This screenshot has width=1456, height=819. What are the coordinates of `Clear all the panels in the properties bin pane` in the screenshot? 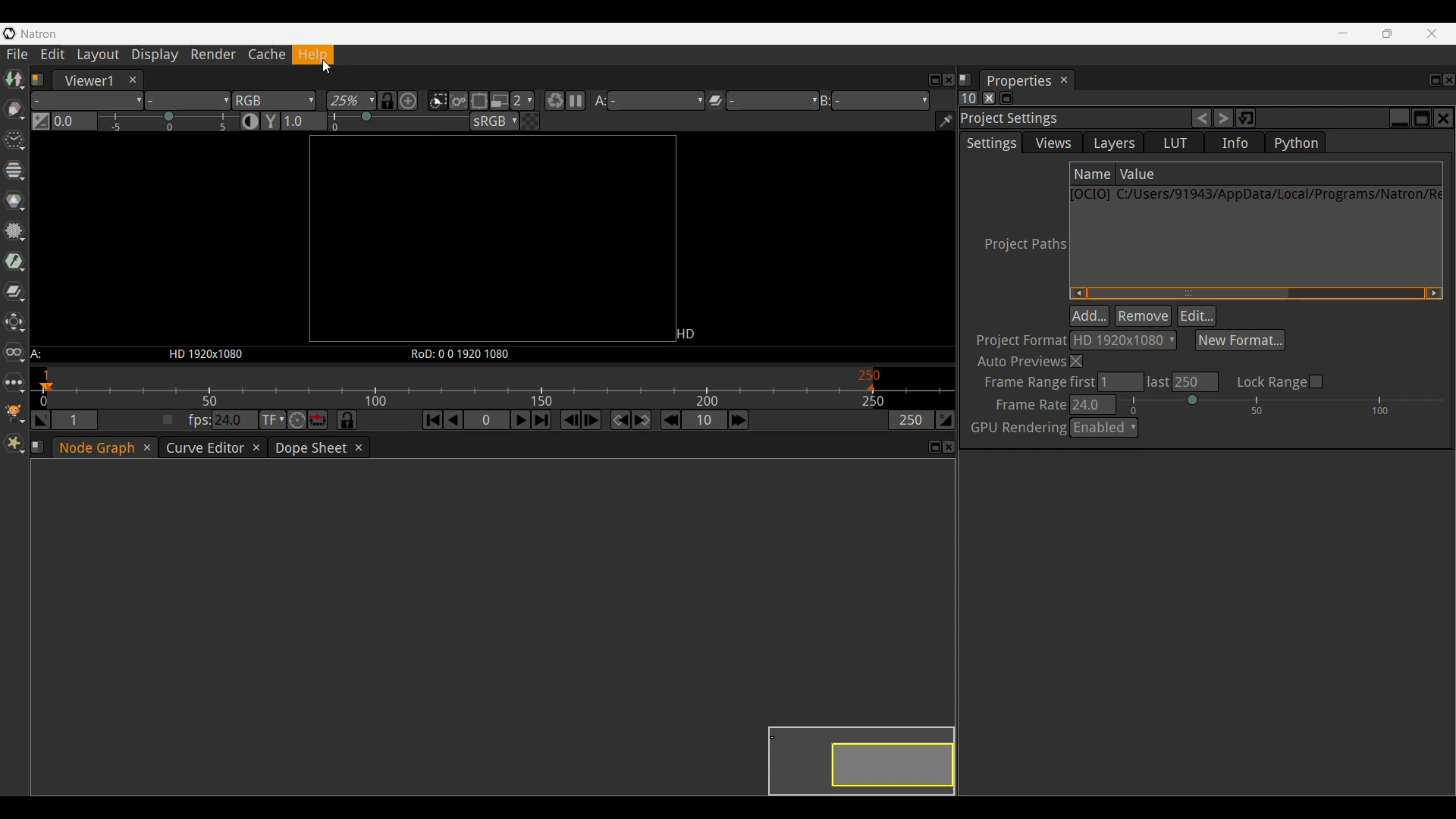 It's located at (989, 98).